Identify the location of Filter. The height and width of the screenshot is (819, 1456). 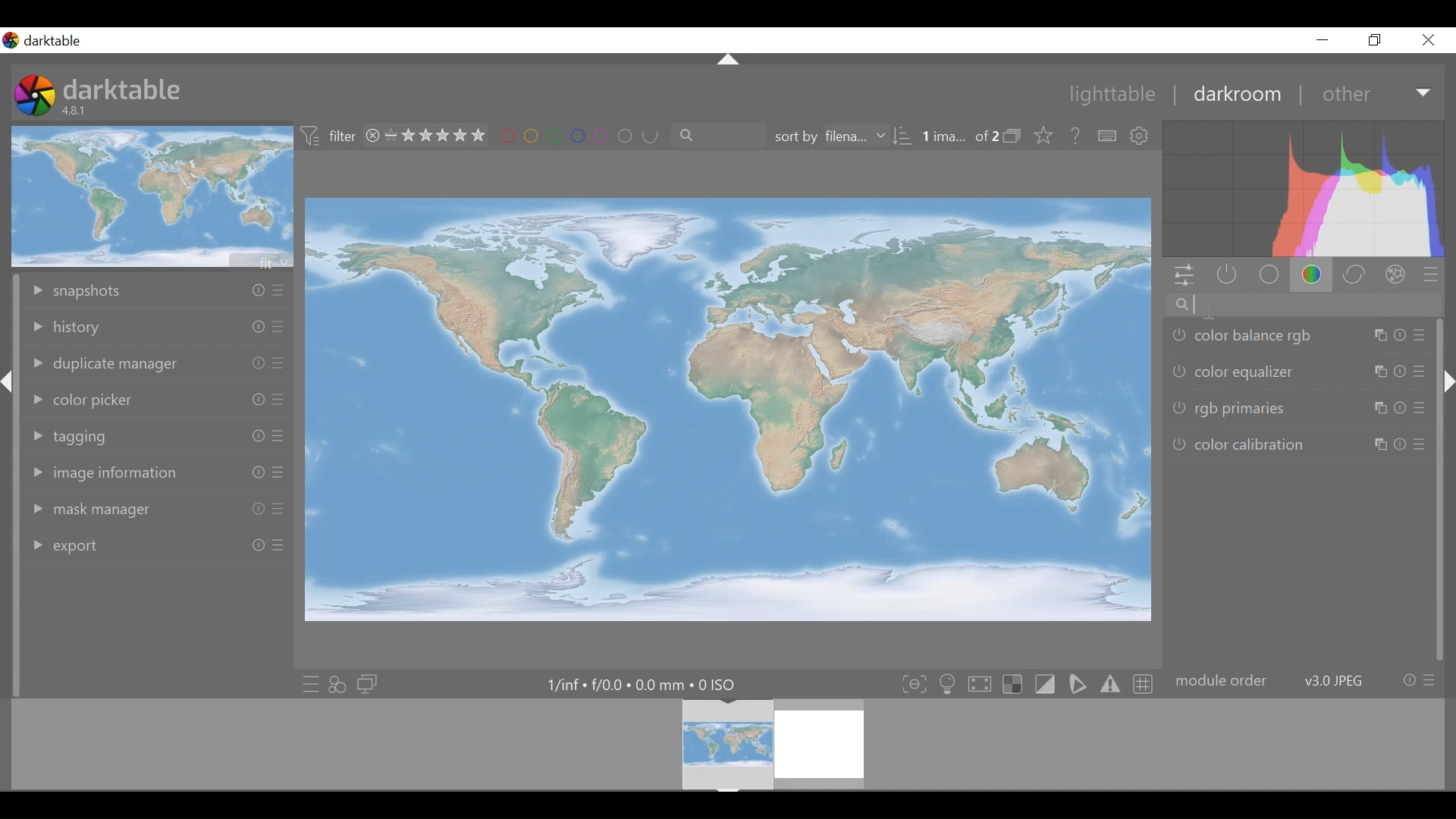
(331, 137).